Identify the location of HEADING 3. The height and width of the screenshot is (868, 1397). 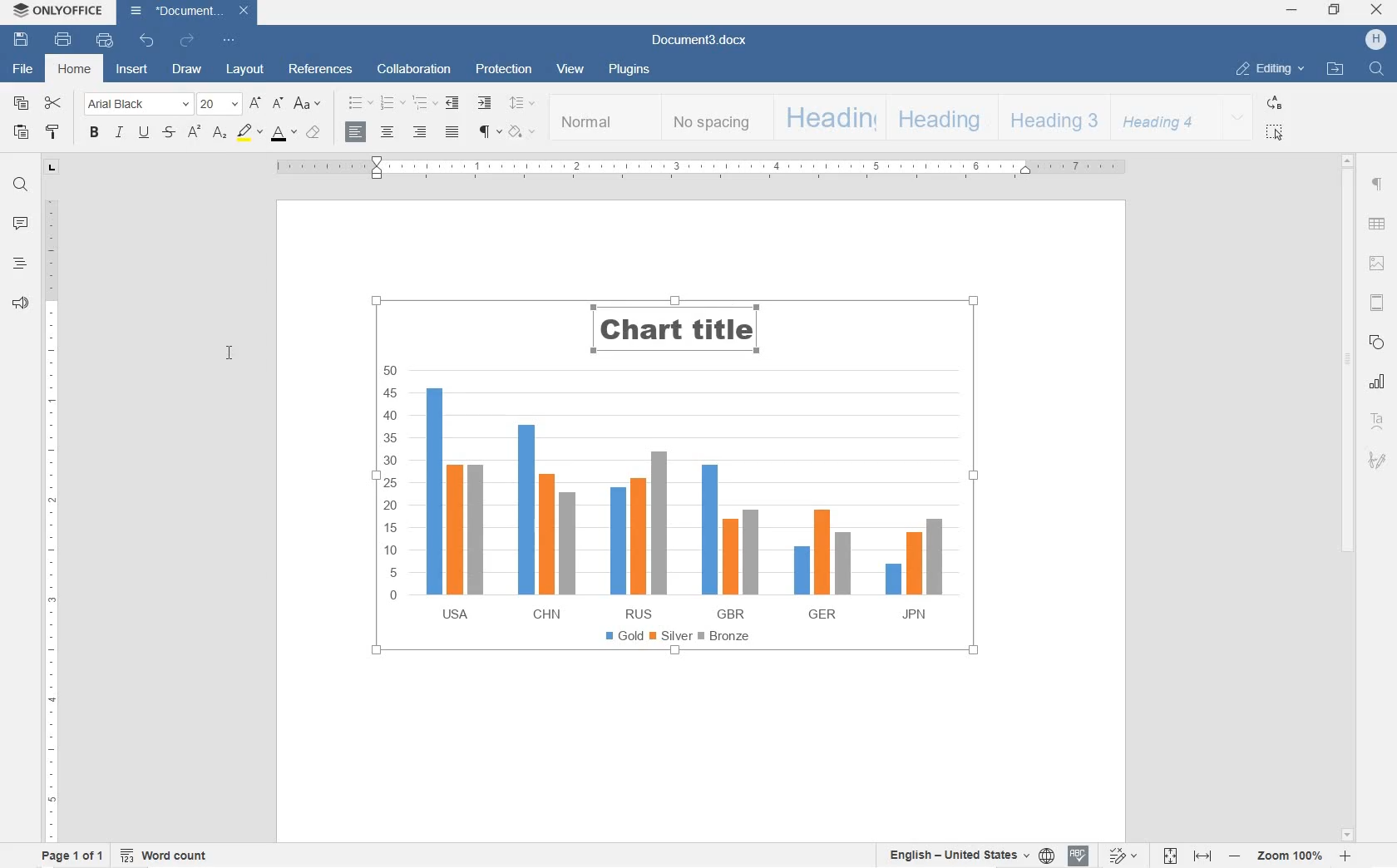
(1051, 118).